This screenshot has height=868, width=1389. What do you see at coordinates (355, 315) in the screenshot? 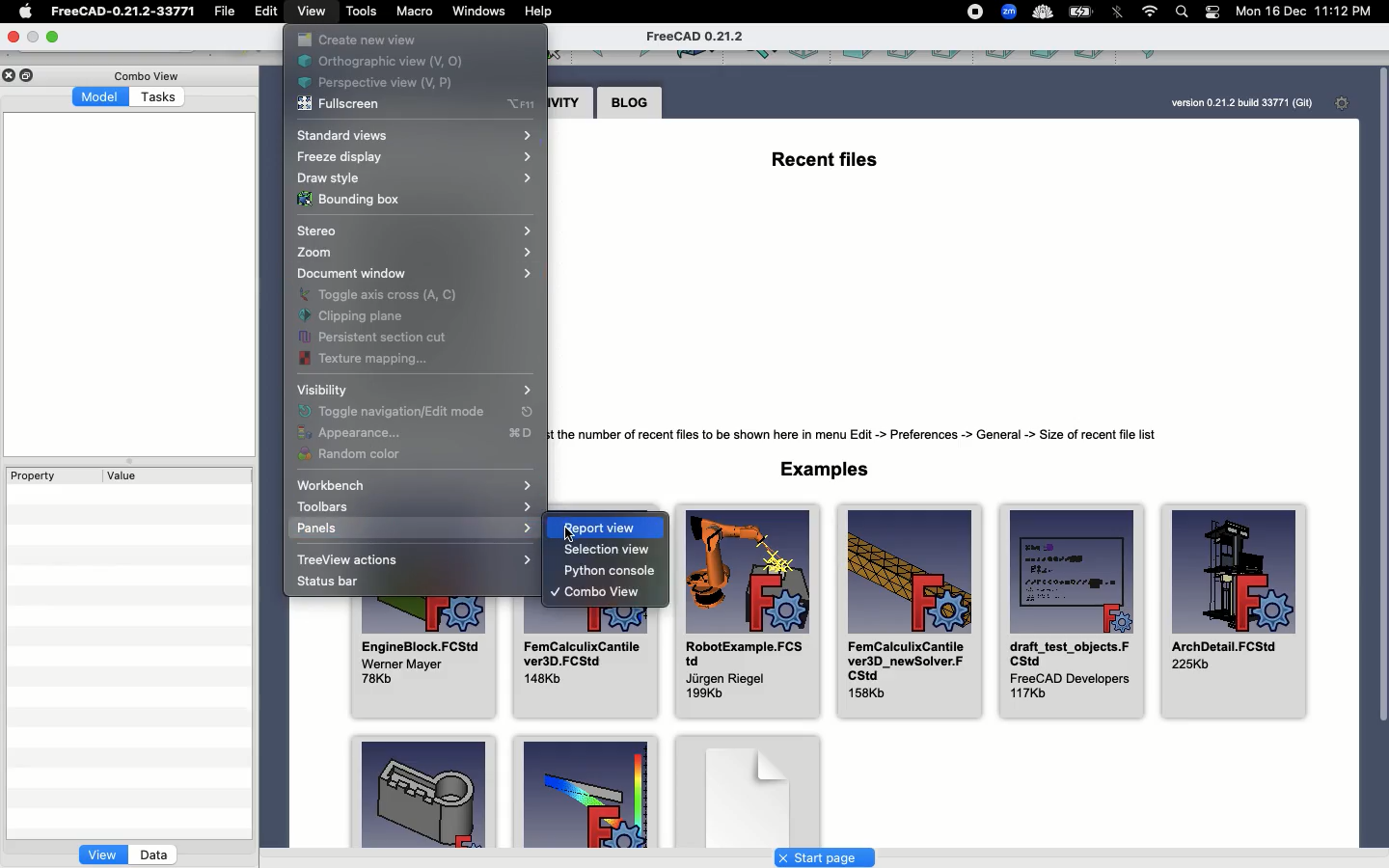
I see `Clipping plane` at bounding box center [355, 315].